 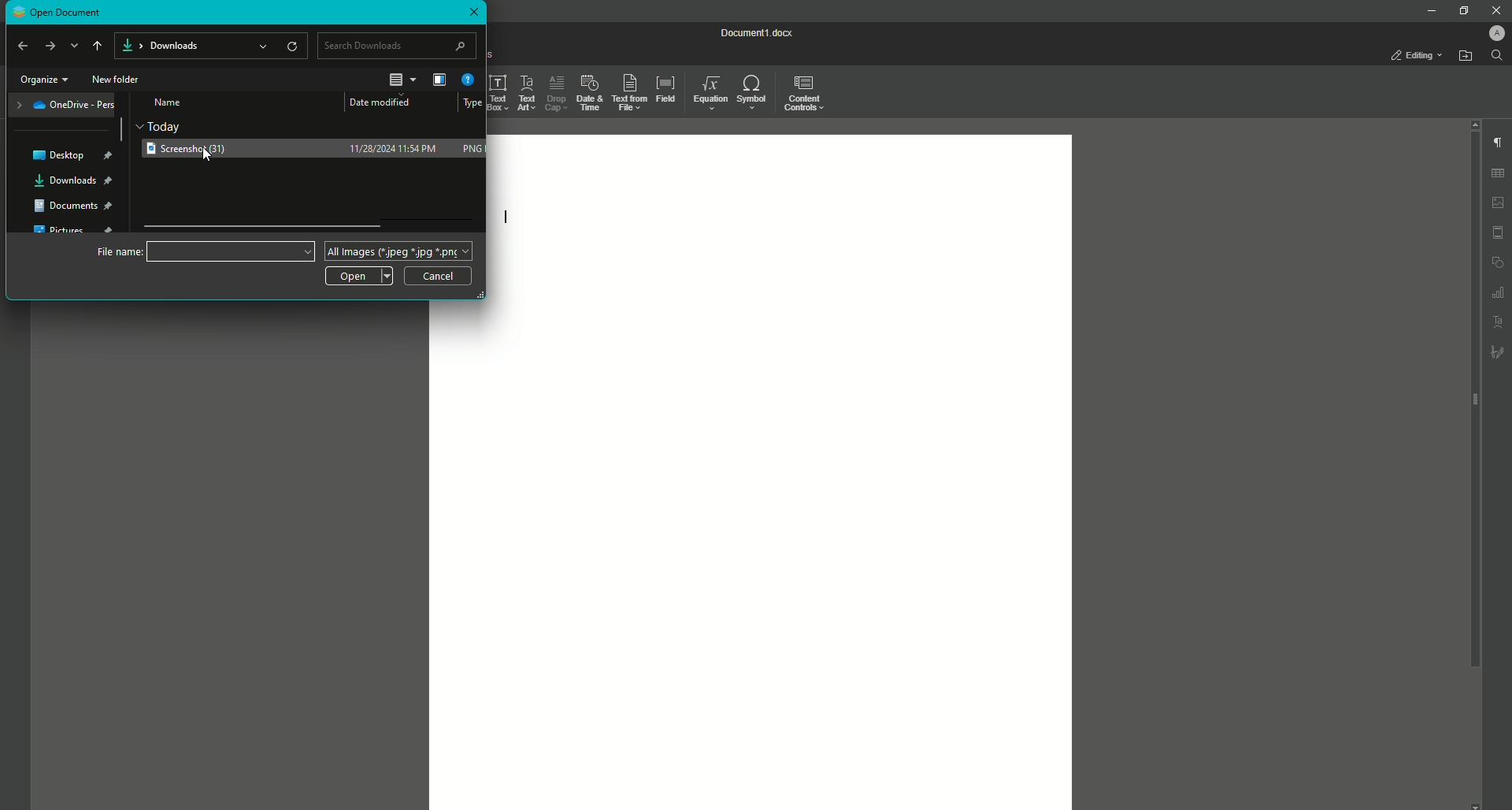 What do you see at coordinates (1493, 9) in the screenshot?
I see `Close` at bounding box center [1493, 9].